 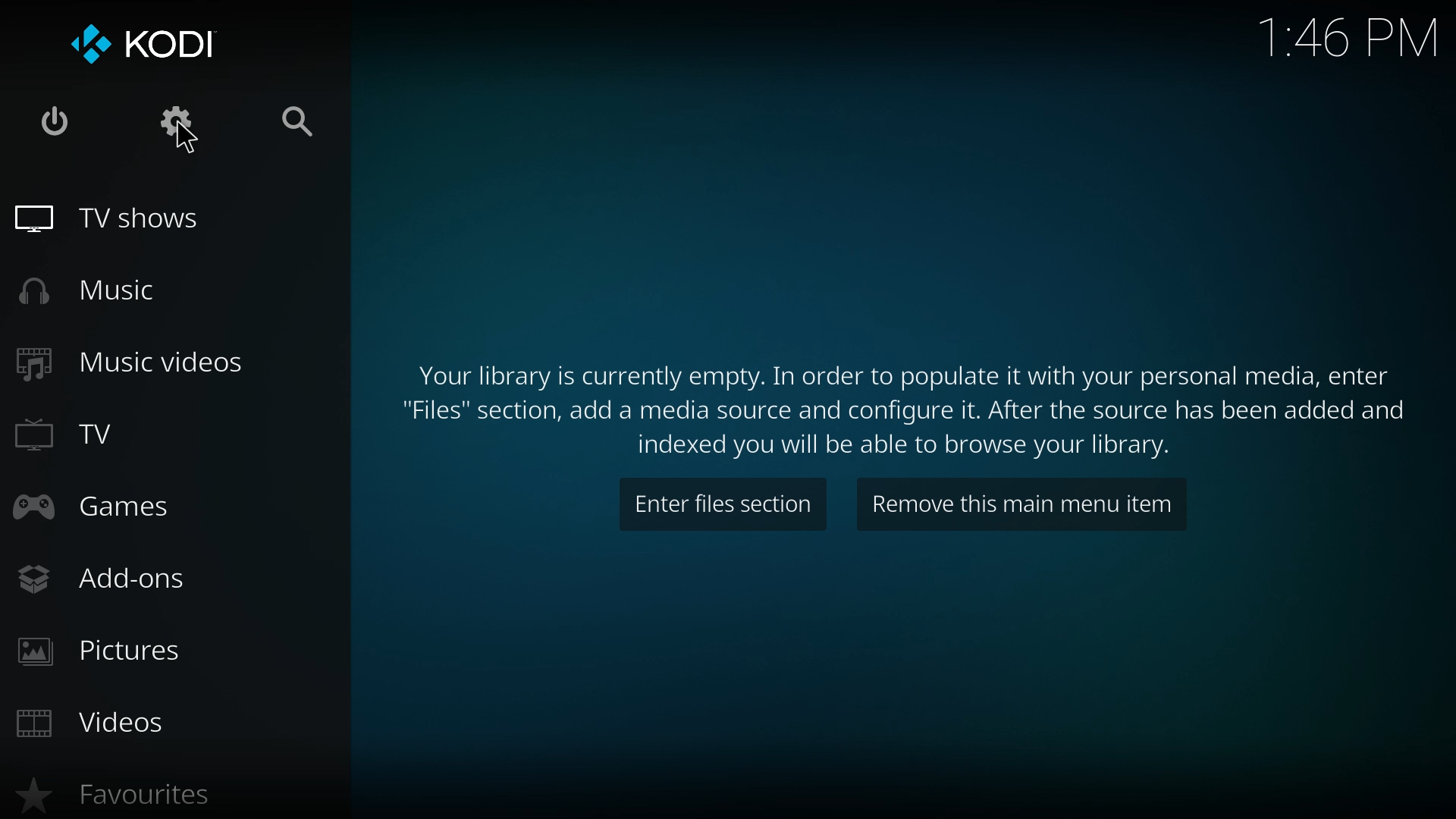 I want to click on tv, so click(x=135, y=434).